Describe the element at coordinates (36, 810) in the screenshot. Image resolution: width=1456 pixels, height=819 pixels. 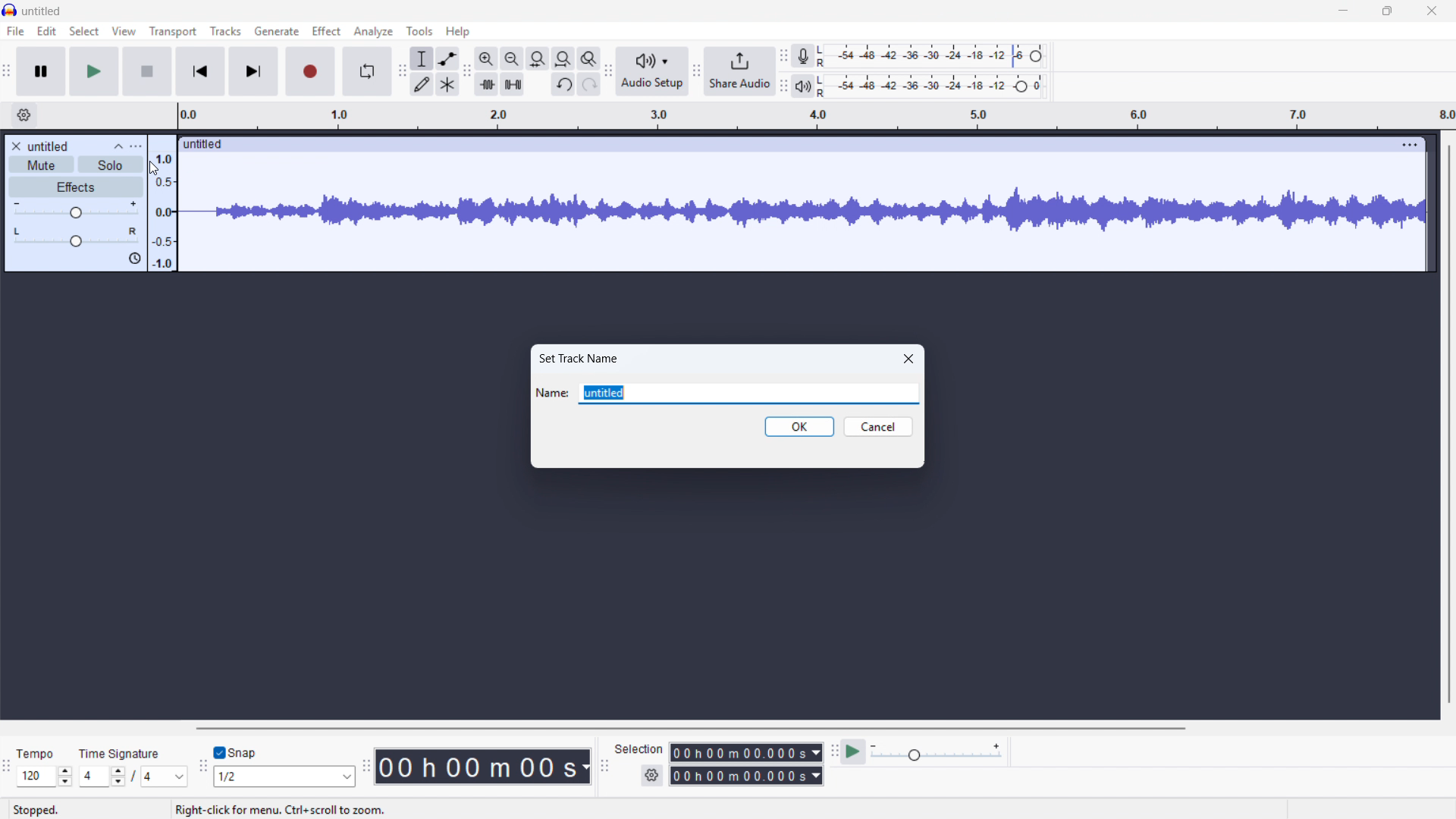
I see `Status: stopped` at that location.